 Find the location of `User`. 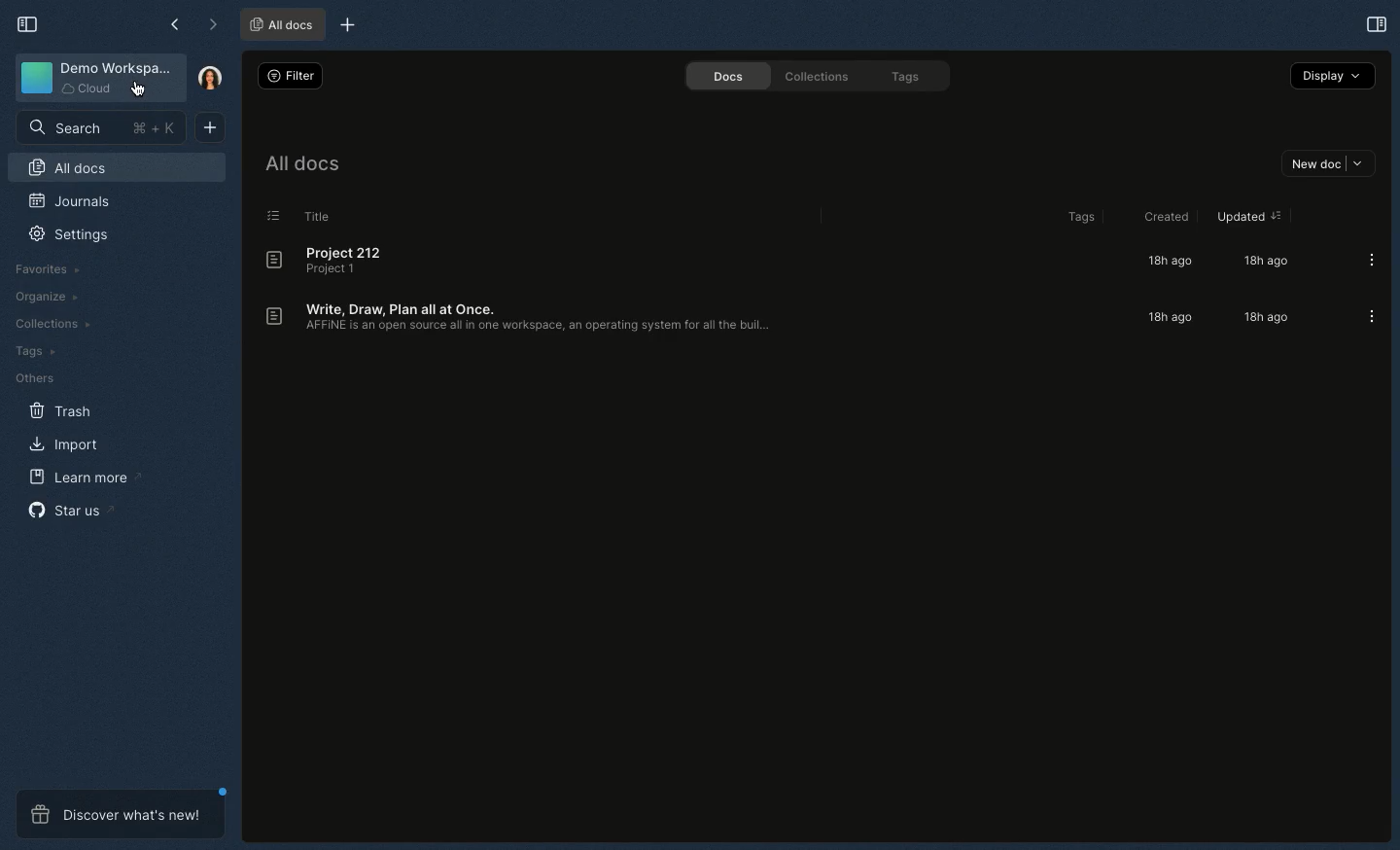

User is located at coordinates (207, 79).